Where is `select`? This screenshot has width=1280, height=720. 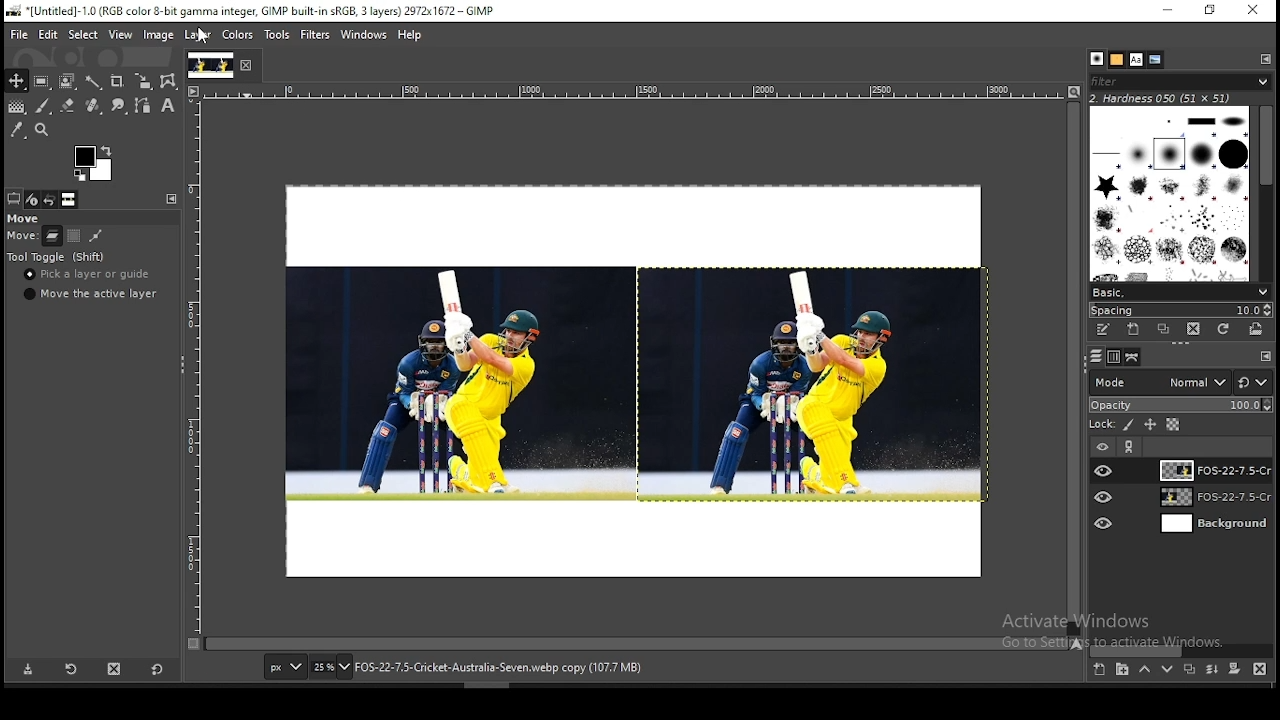
select is located at coordinates (84, 36).